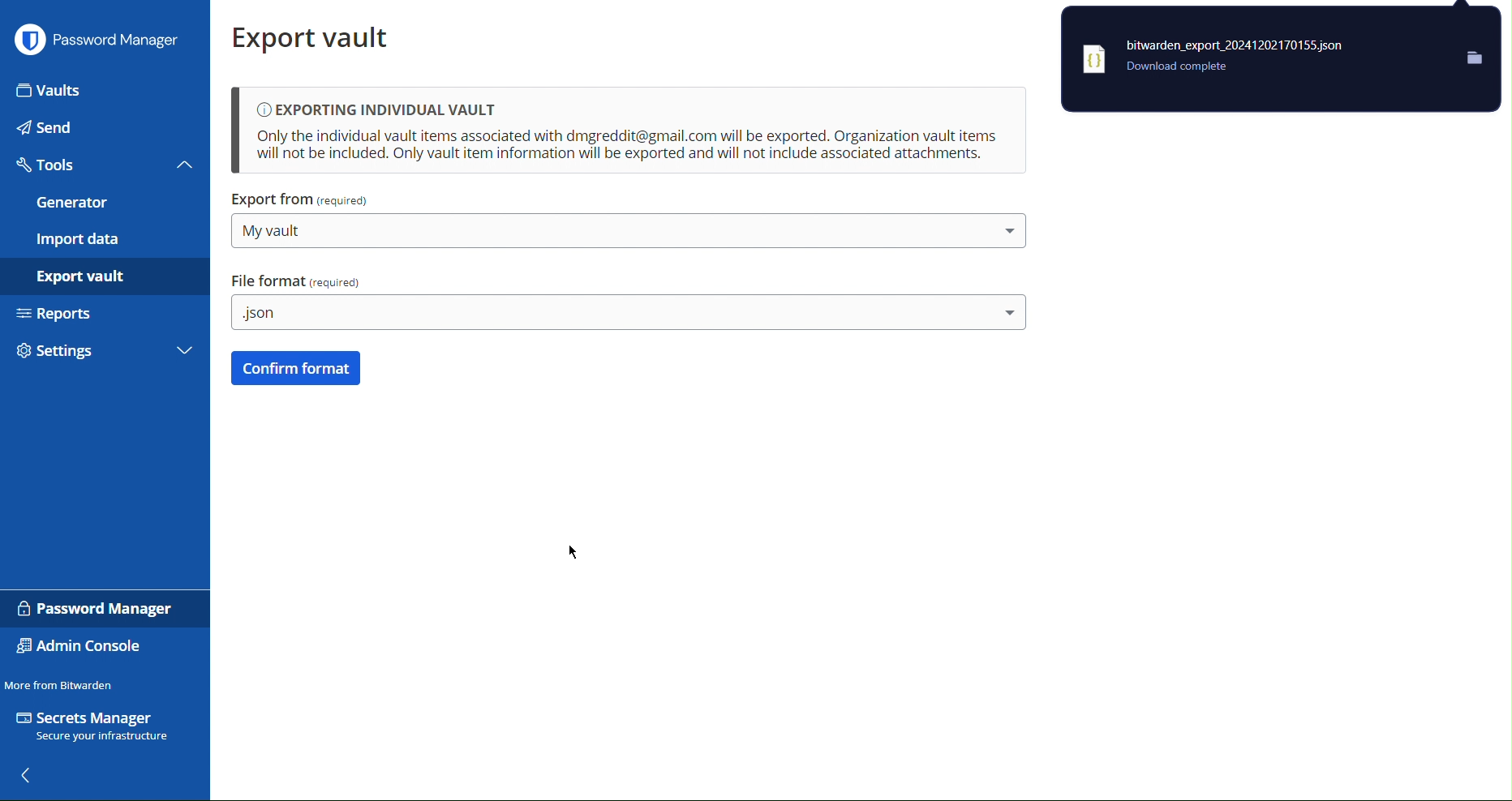 Image resolution: width=1512 pixels, height=801 pixels. I want to click on Settings, so click(76, 348).